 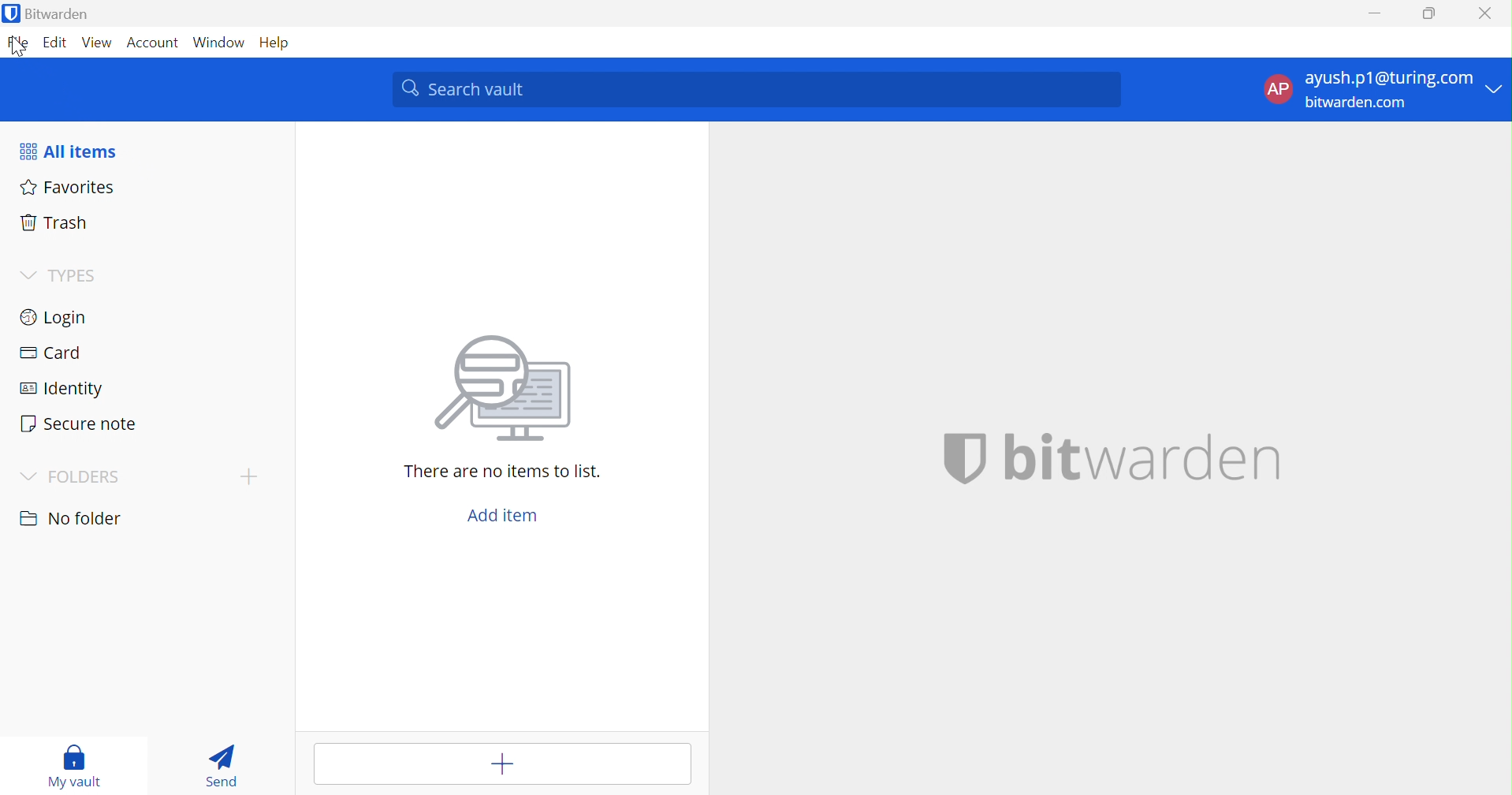 I want to click on Help, so click(x=275, y=46).